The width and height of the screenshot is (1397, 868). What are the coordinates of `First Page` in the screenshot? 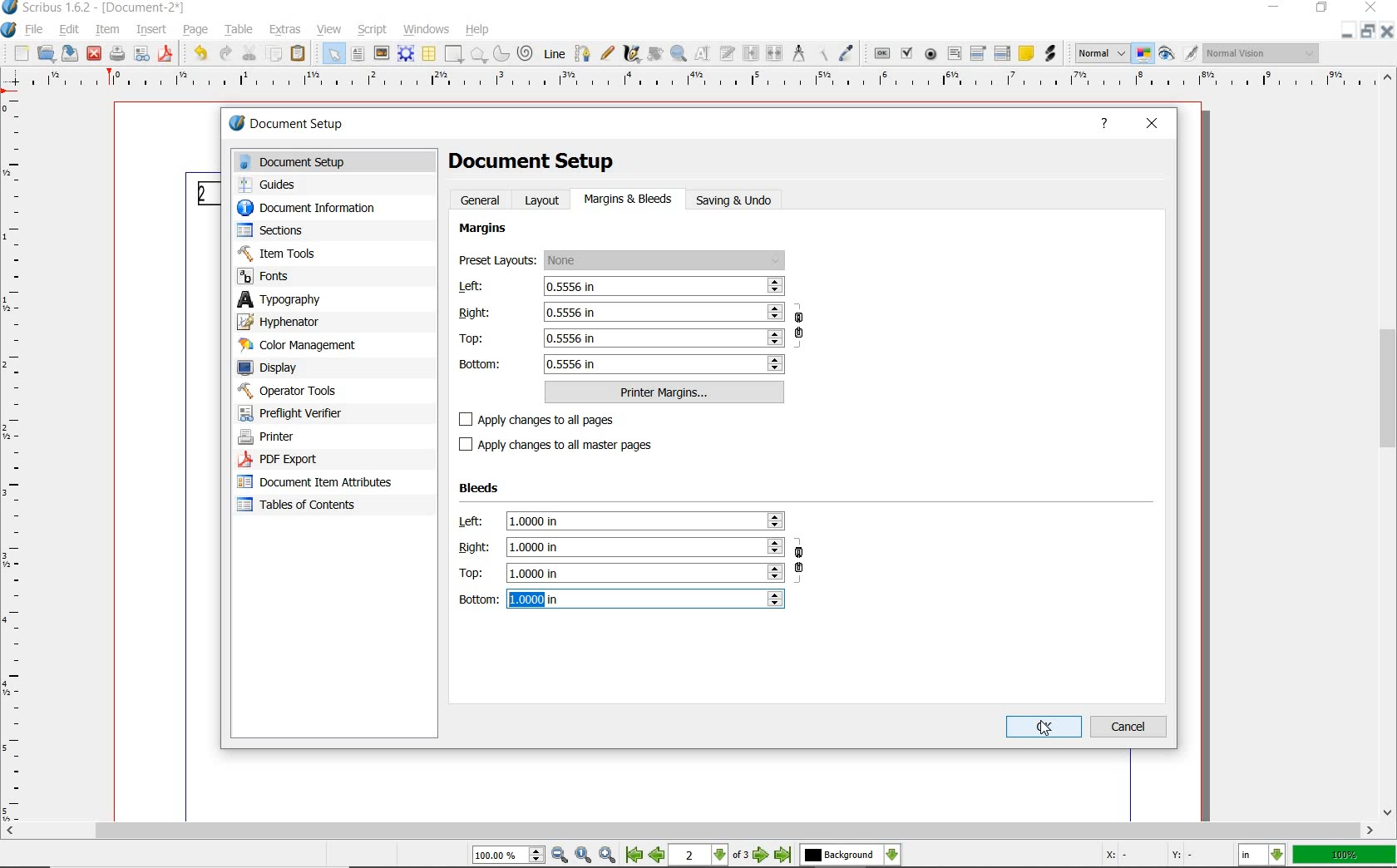 It's located at (634, 856).